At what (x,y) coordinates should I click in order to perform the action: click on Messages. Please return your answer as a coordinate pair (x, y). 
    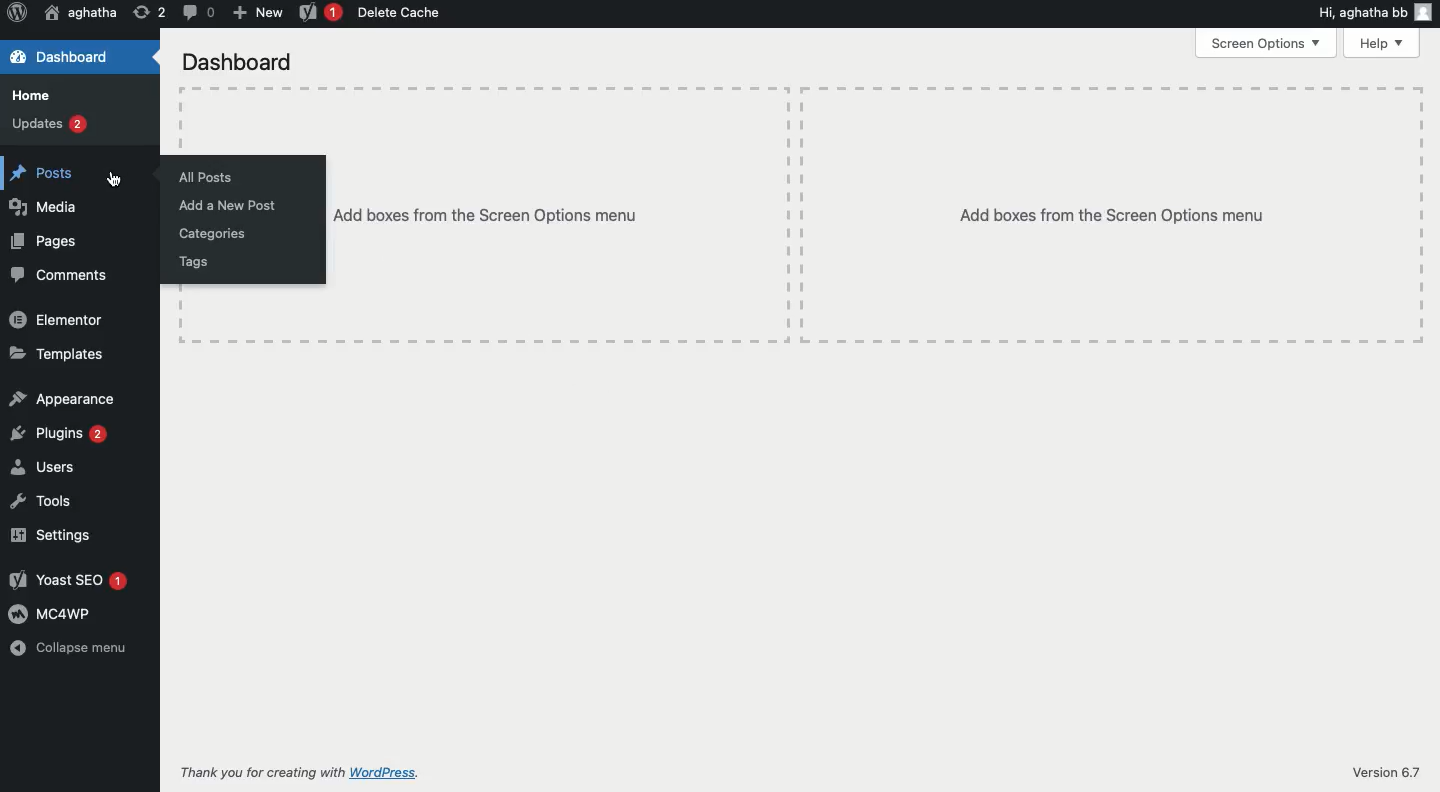
    Looking at the image, I should click on (200, 12).